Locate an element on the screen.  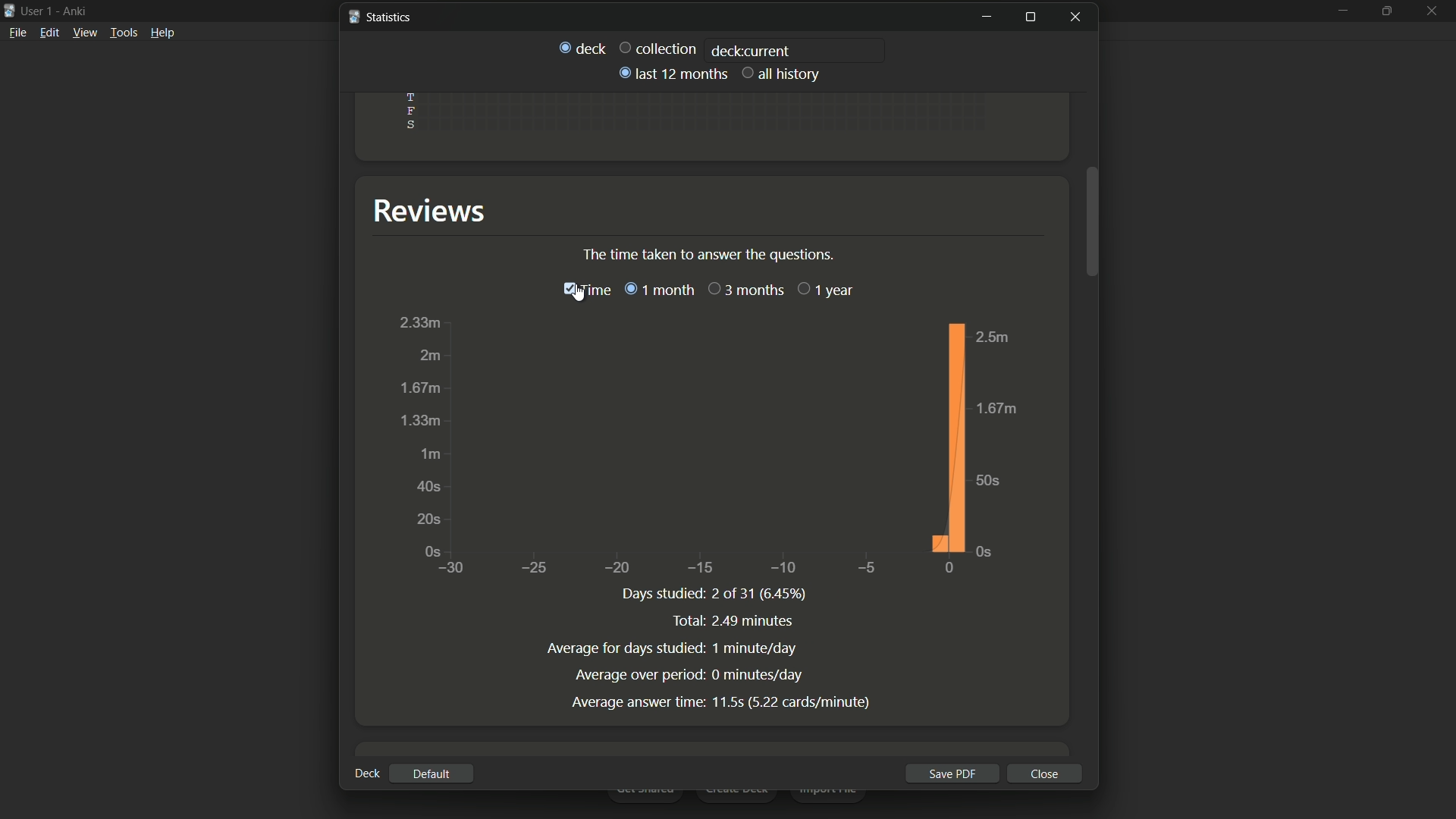
reviews is located at coordinates (436, 211).